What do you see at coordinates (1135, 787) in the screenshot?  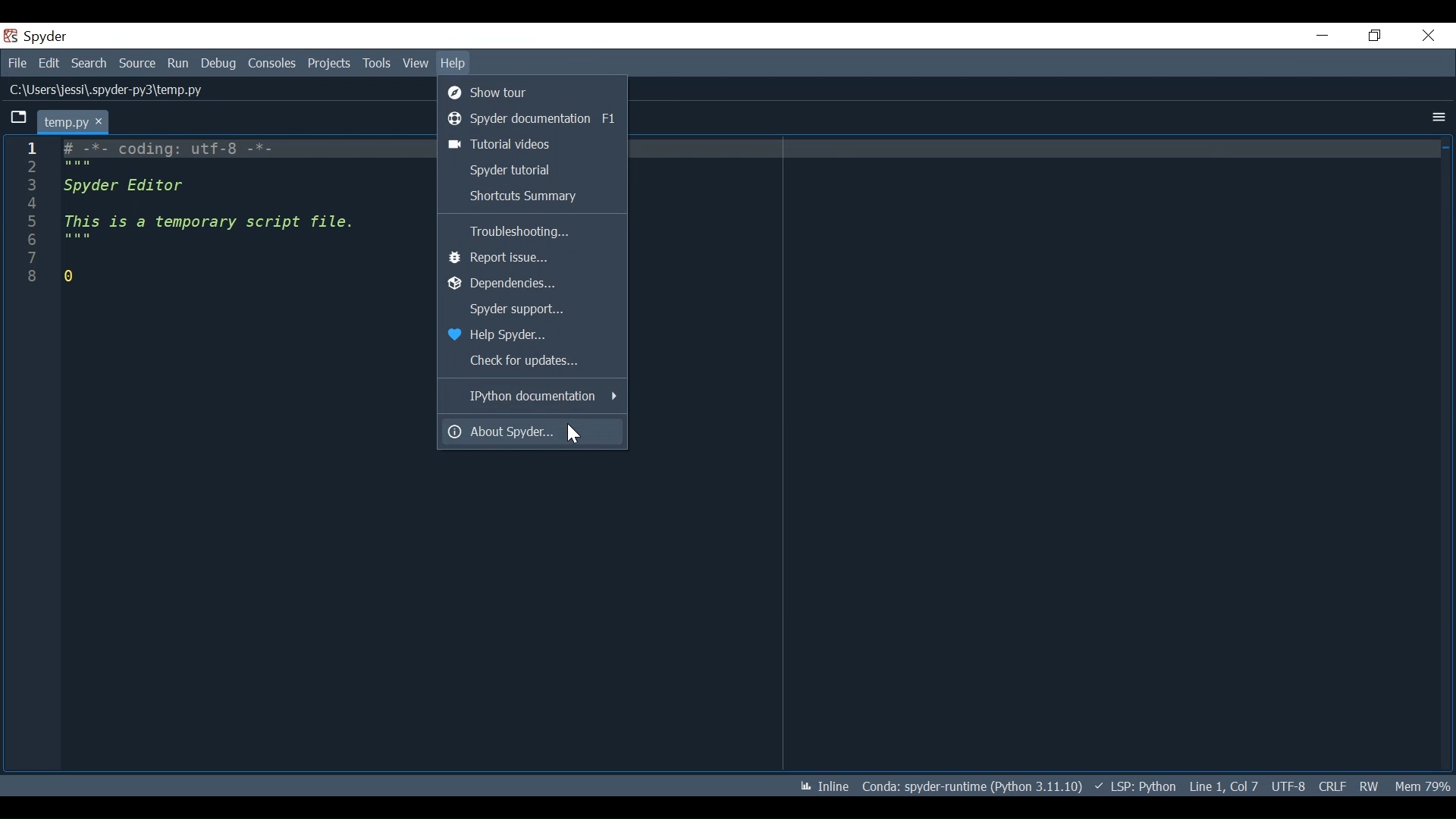 I see `LSP: Python` at bounding box center [1135, 787].